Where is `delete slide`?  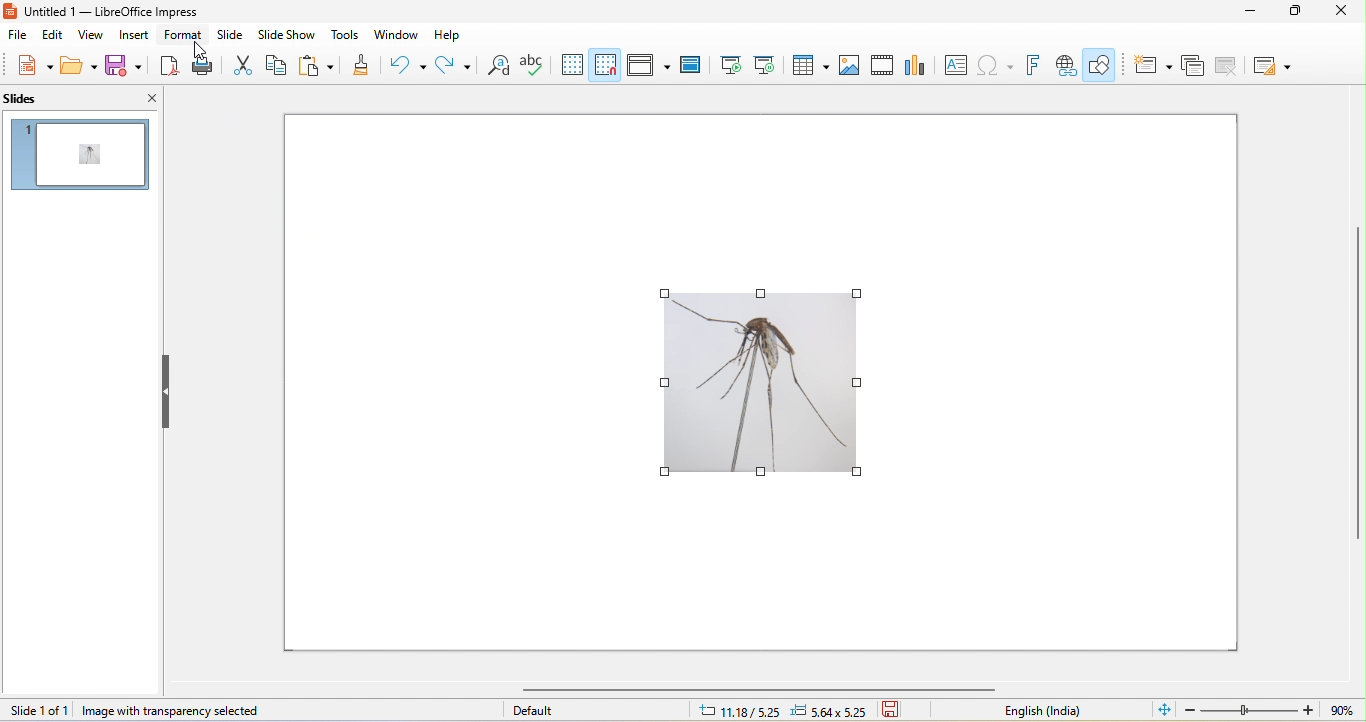 delete slide is located at coordinates (1228, 66).